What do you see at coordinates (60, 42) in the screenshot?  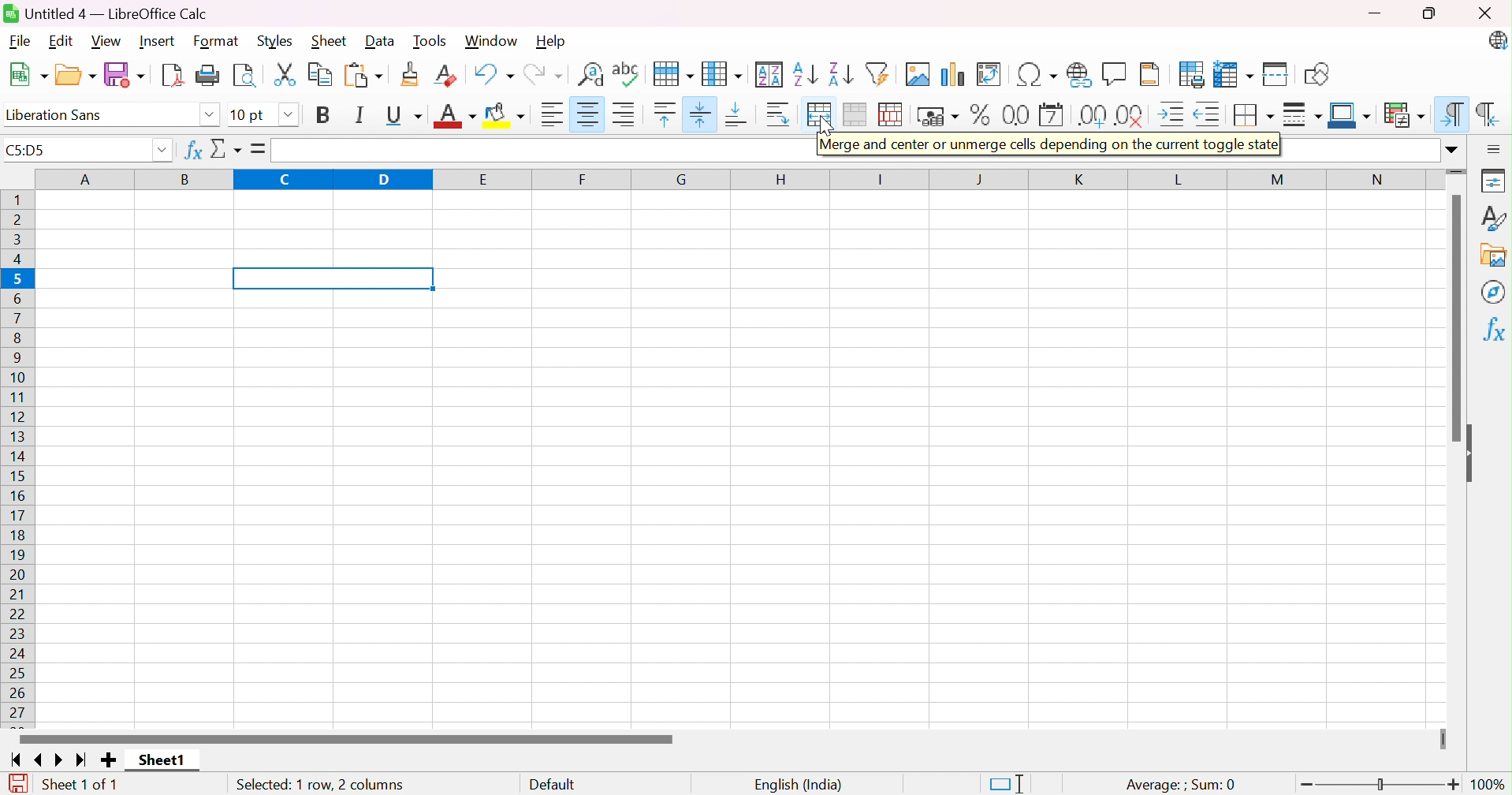 I see `Edit` at bounding box center [60, 42].